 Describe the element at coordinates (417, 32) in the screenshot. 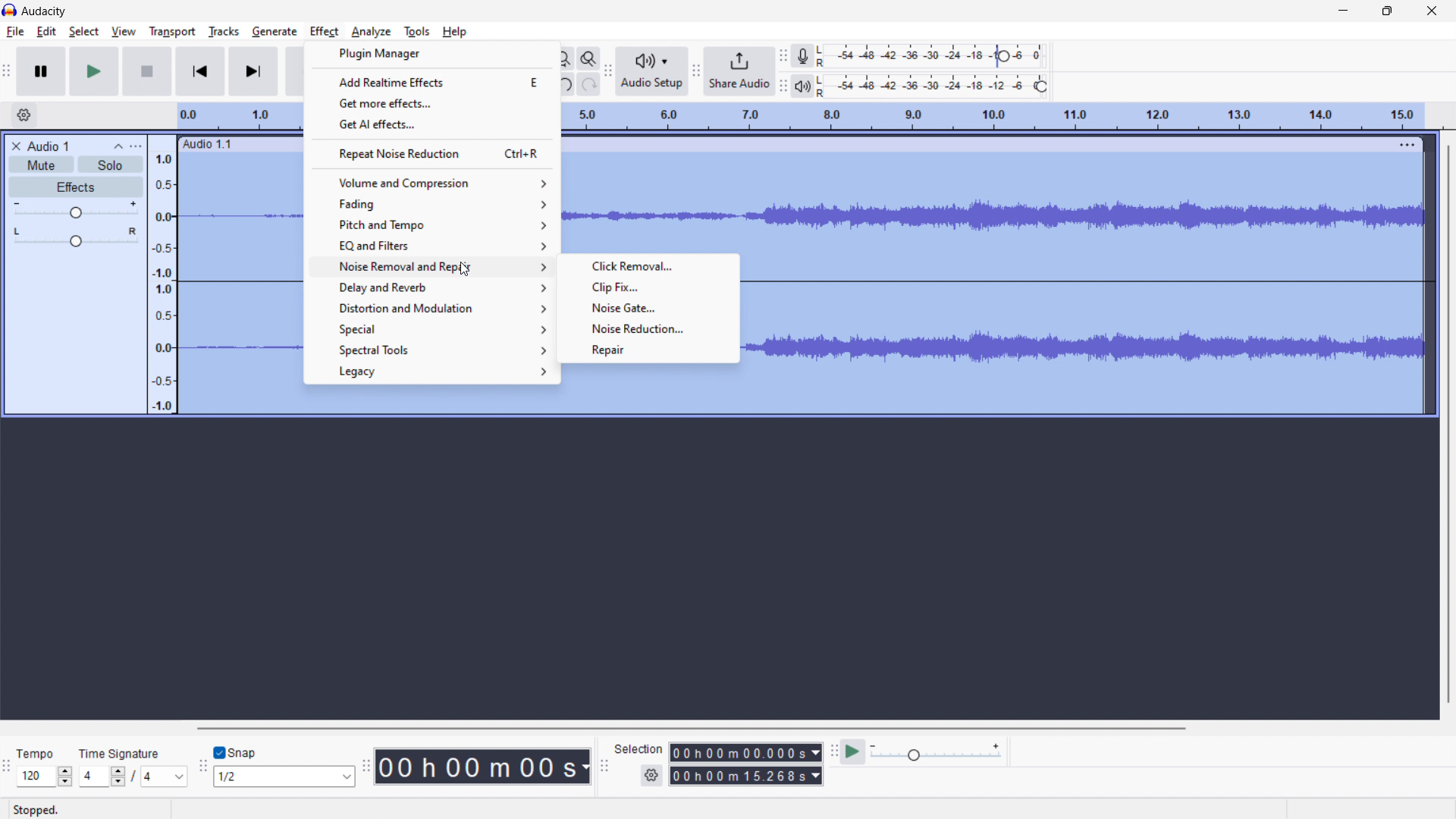

I see `tools` at that location.